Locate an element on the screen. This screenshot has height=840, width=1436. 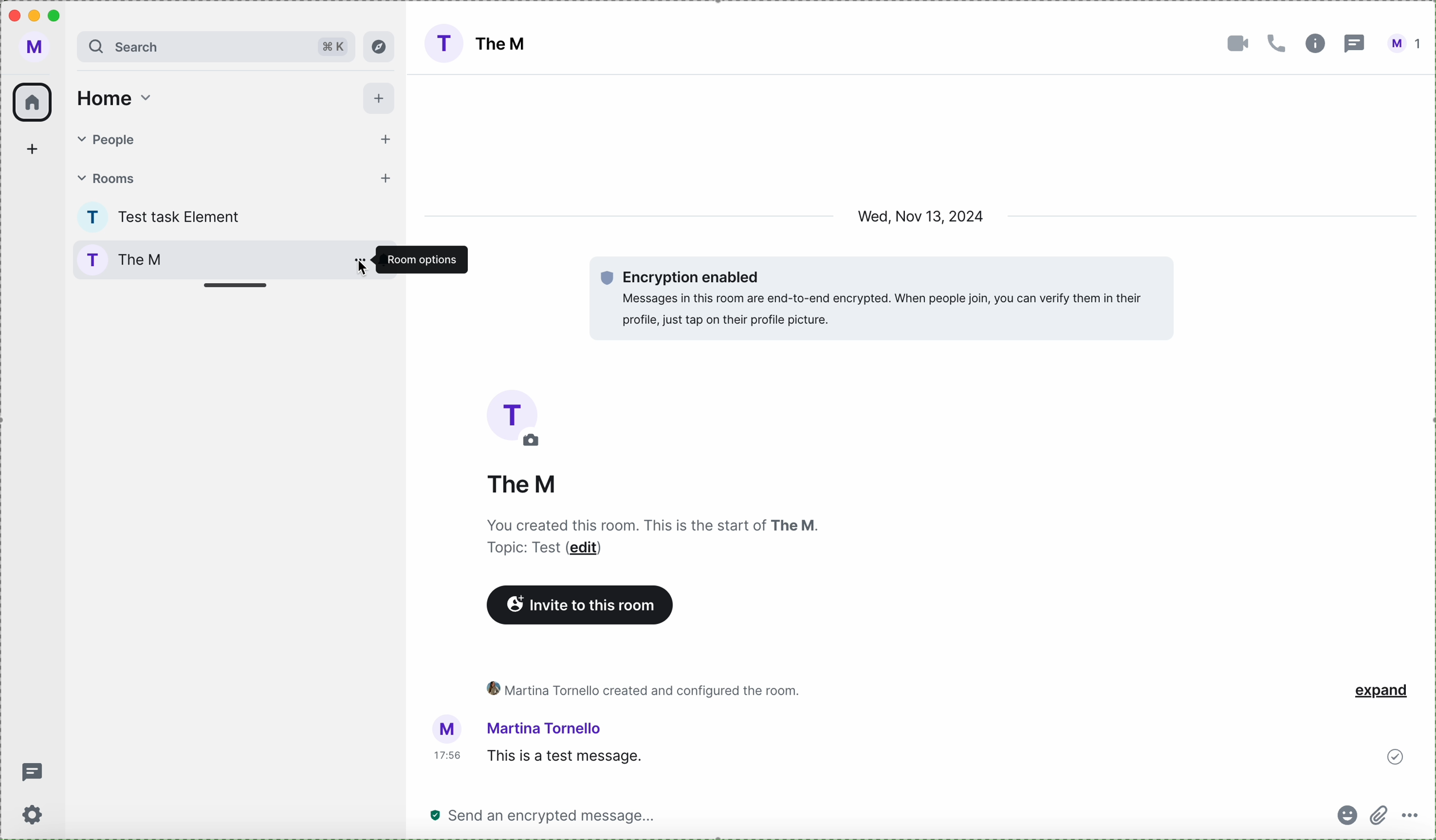
sent is located at coordinates (1392, 756).